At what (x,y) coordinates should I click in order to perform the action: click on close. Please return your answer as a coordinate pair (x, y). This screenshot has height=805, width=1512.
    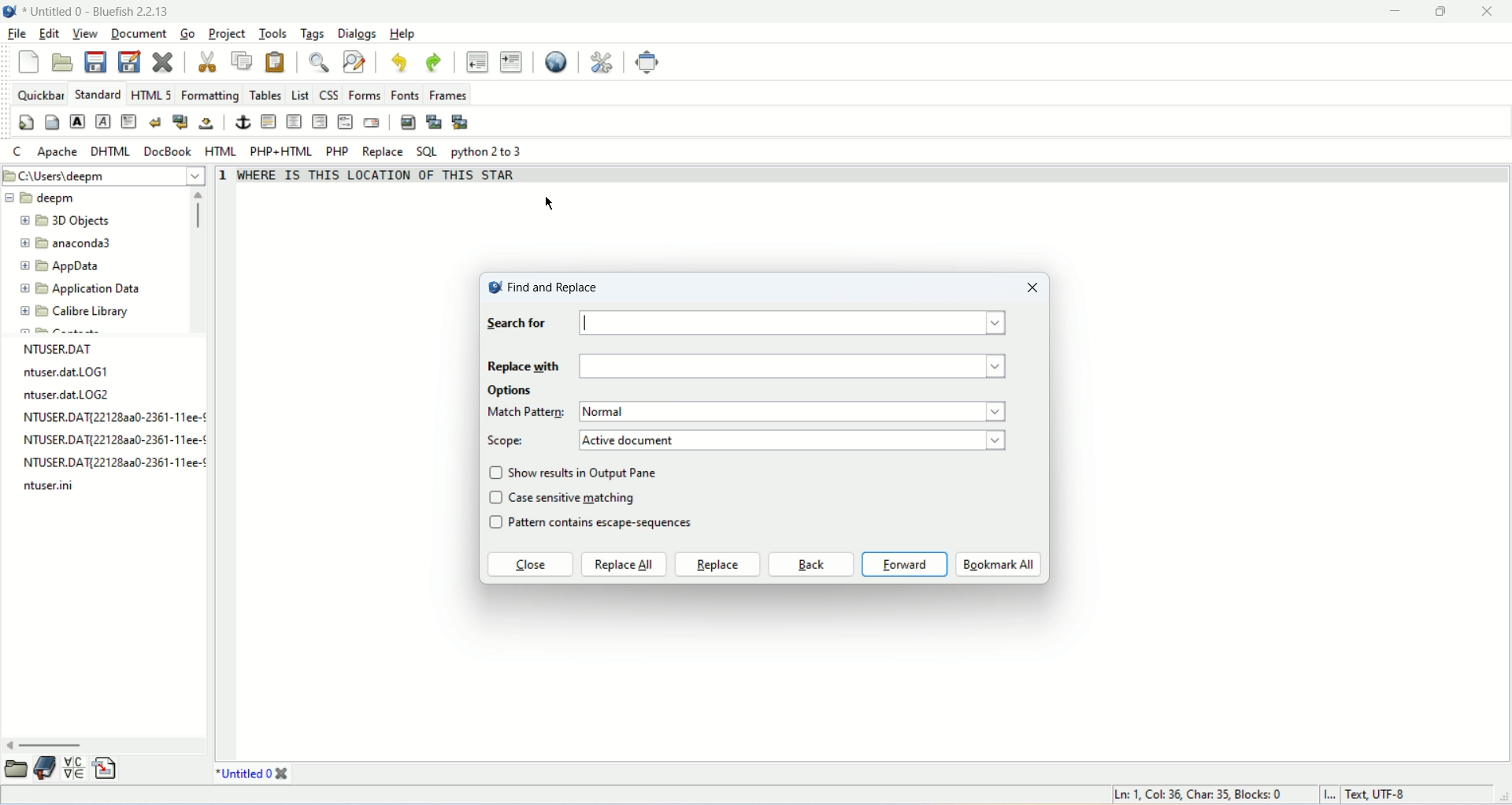
    Looking at the image, I should click on (1030, 287).